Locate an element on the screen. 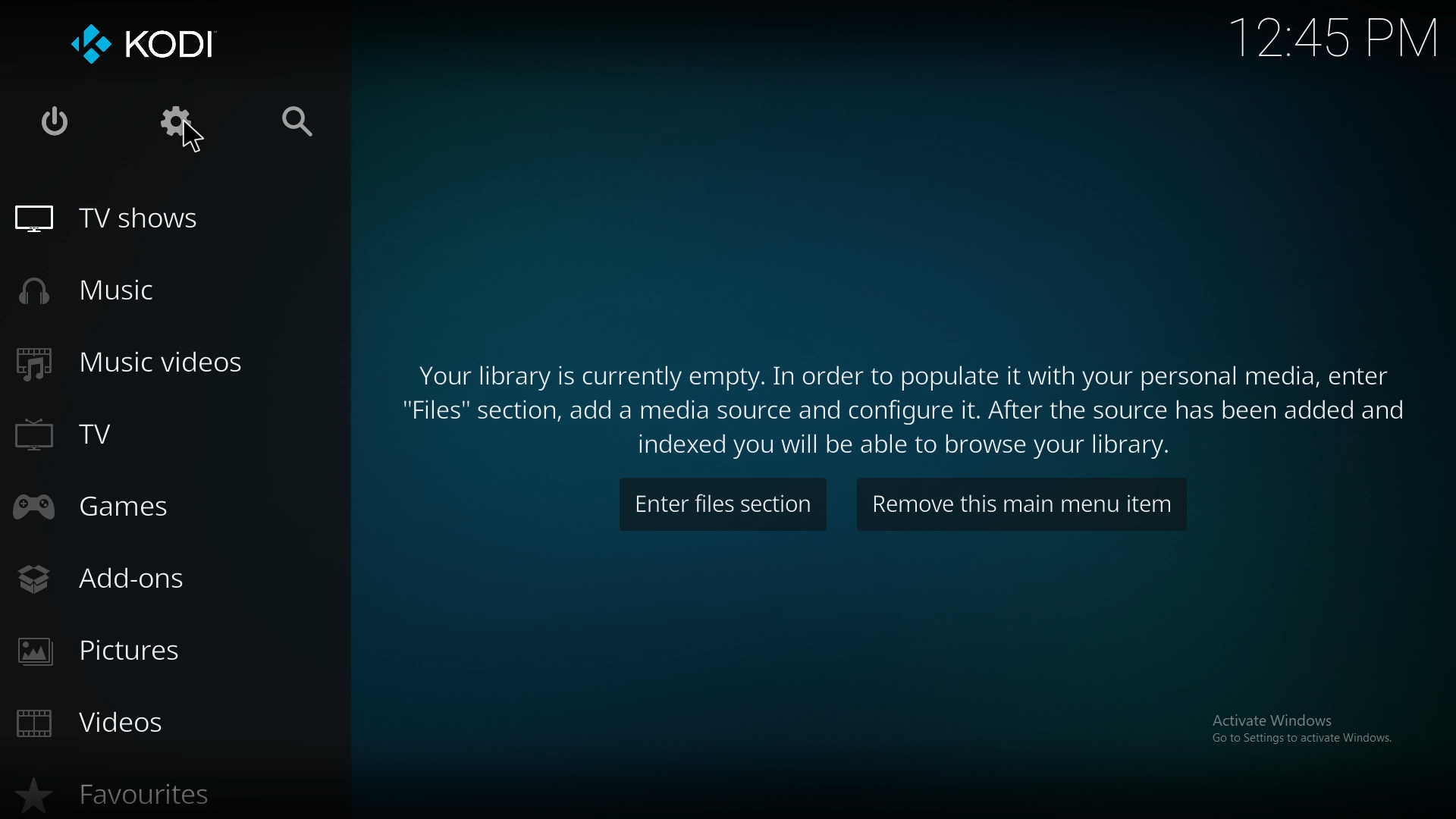  pictures is located at coordinates (133, 649).